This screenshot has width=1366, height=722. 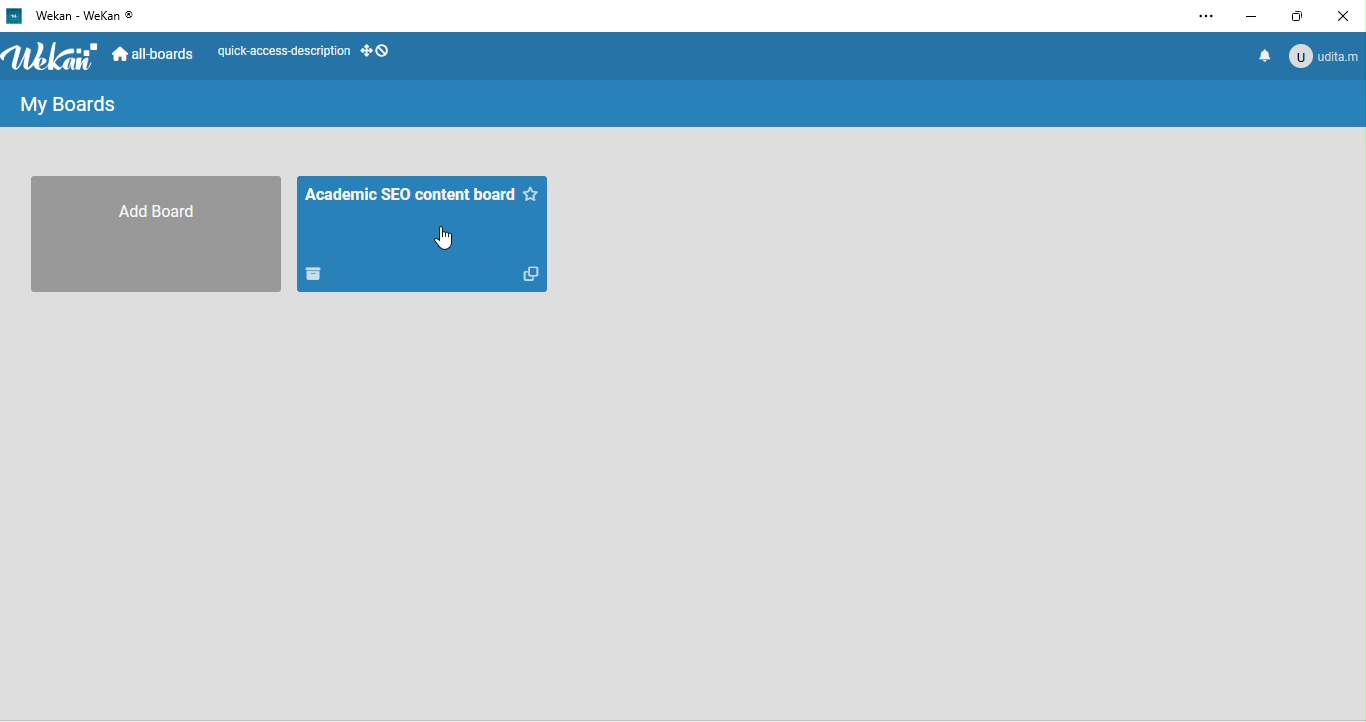 What do you see at coordinates (49, 60) in the screenshot?
I see `wekan logo` at bounding box center [49, 60].